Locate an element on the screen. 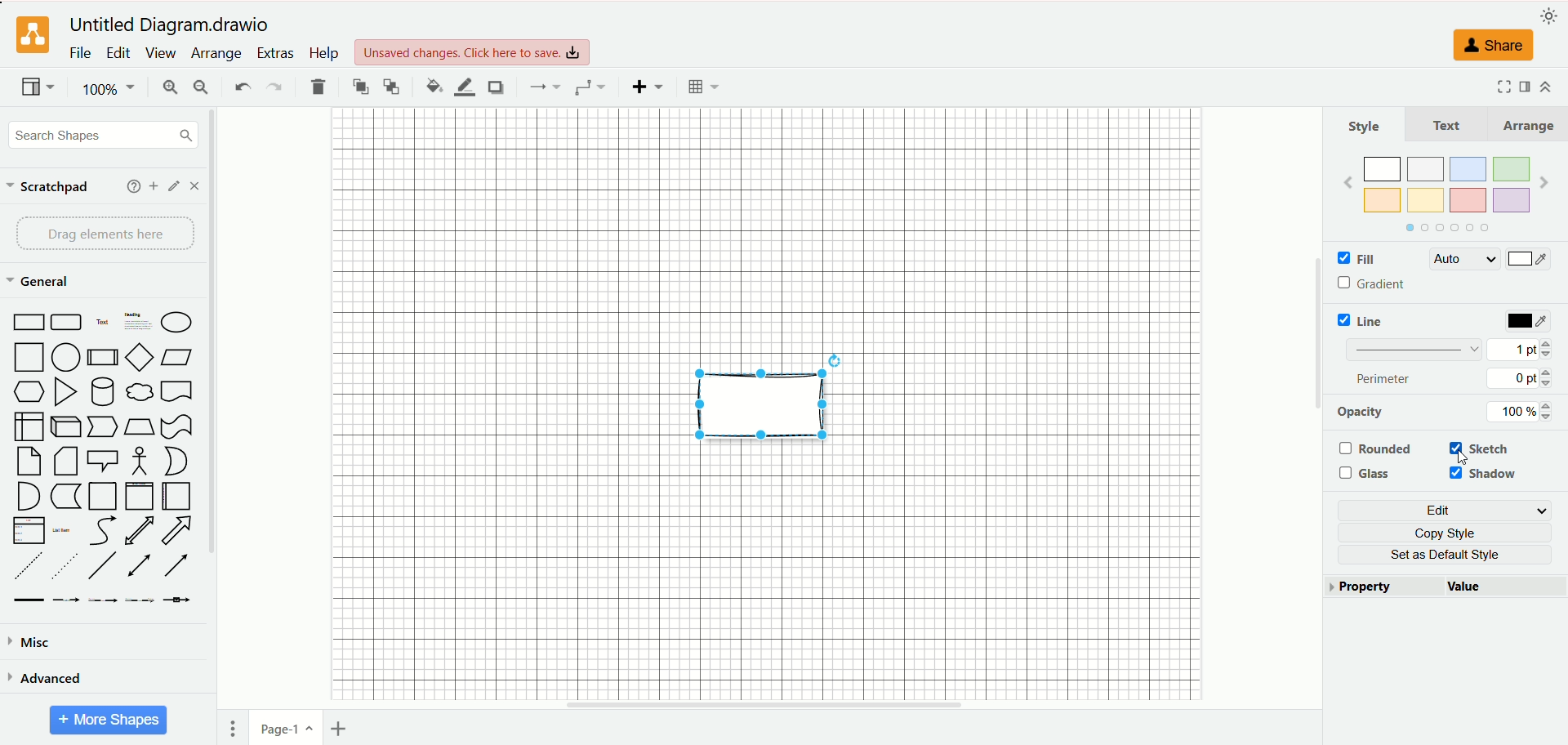  appearance is located at coordinates (1549, 14).